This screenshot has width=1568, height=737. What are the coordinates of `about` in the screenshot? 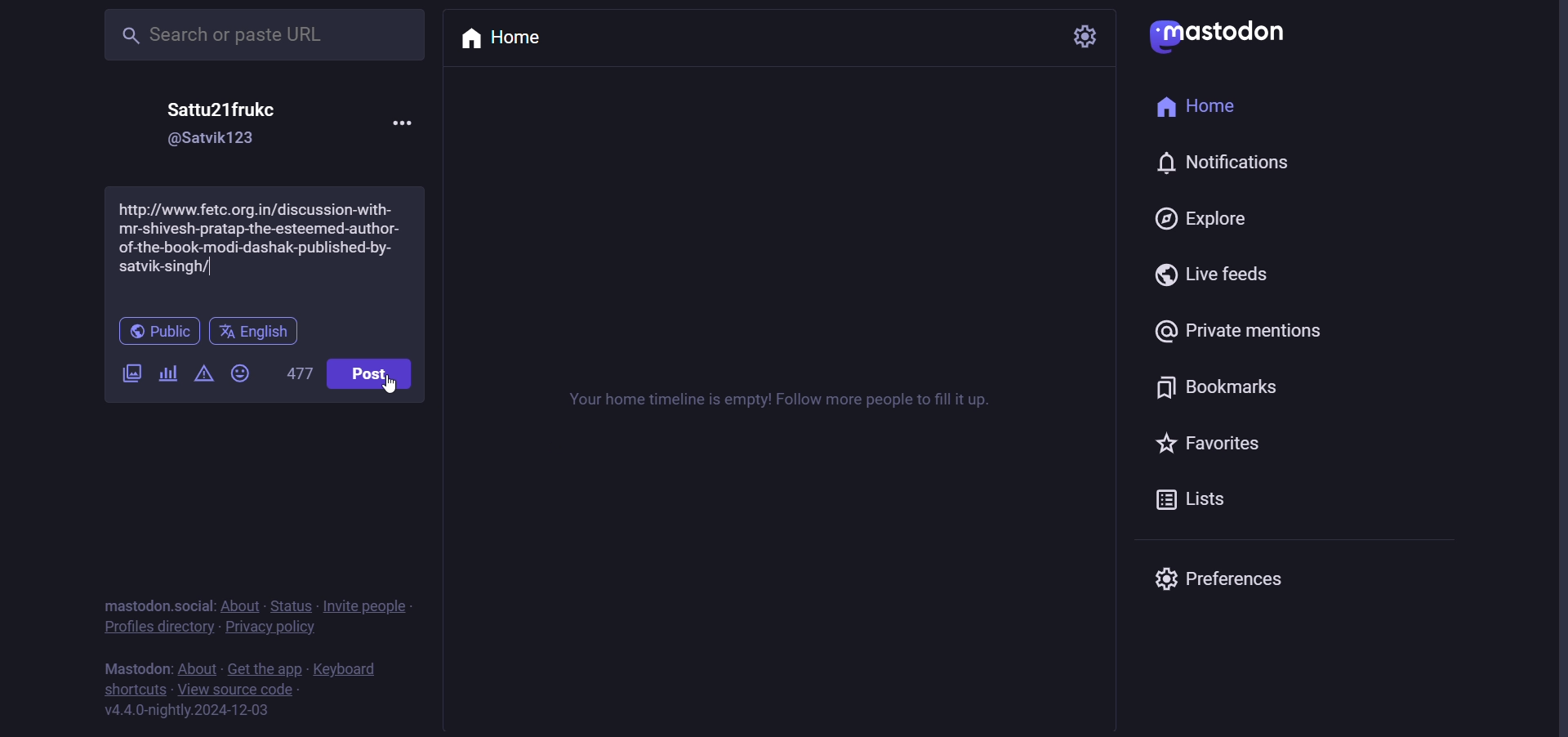 It's located at (240, 605).